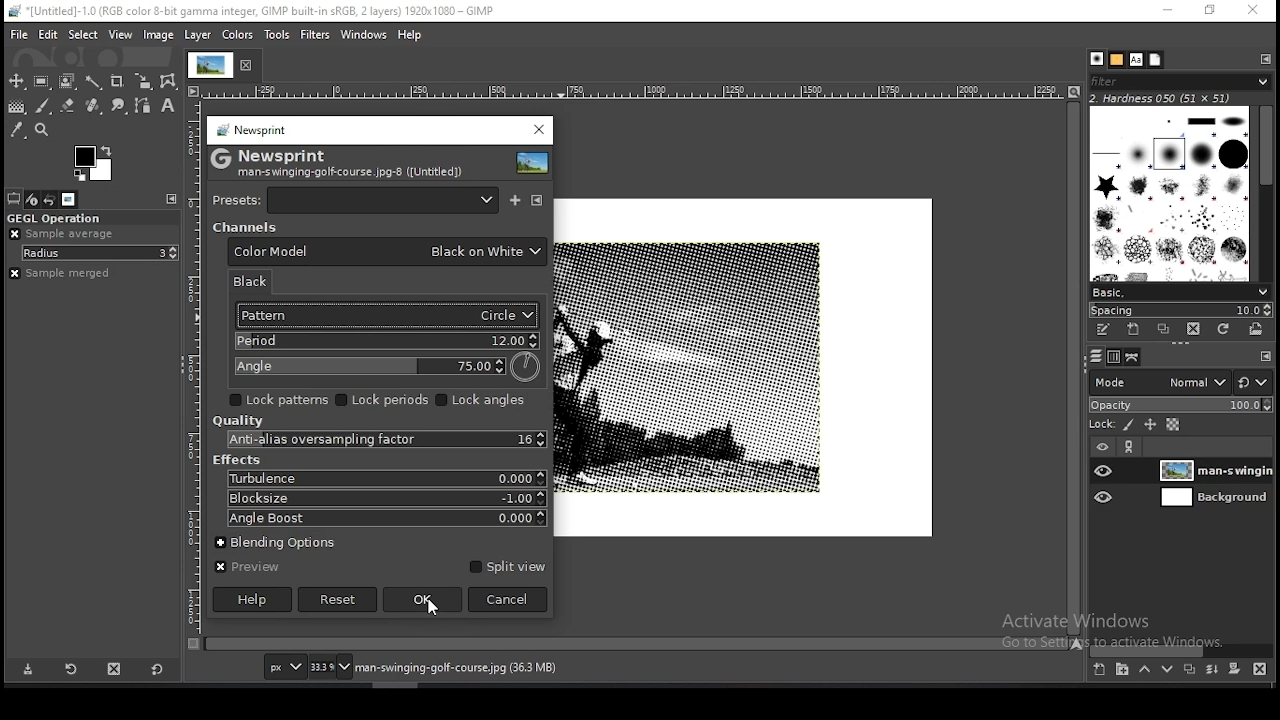 Image resolution: width=1280 pixels, height=720 pixels. I want to click on tab, so click(225, 66).